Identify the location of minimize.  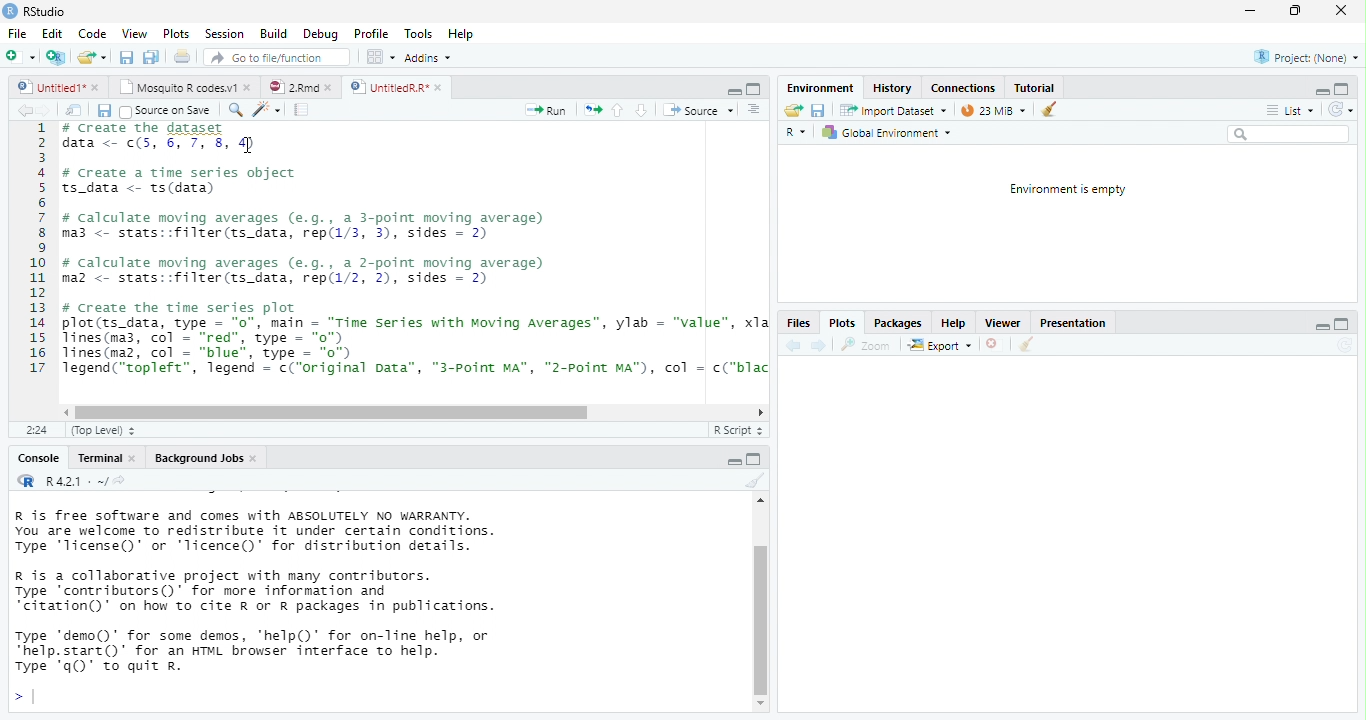
(754, 458).